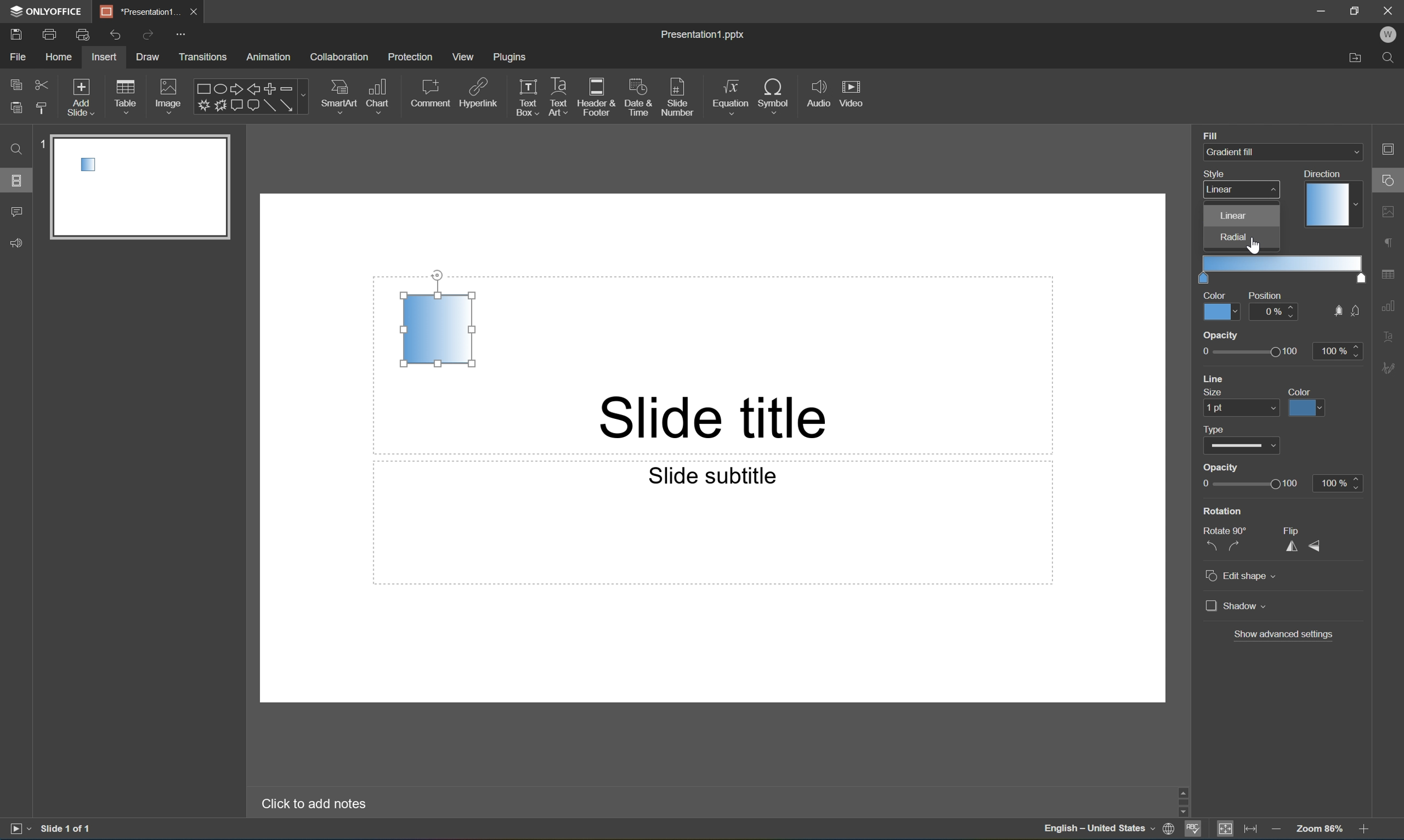 This screenshot has height=840, width=1404. What do you see at coordinates (1223, 511) in the screenshot?
I see `Rotation` at bounding box center [1223, 511].